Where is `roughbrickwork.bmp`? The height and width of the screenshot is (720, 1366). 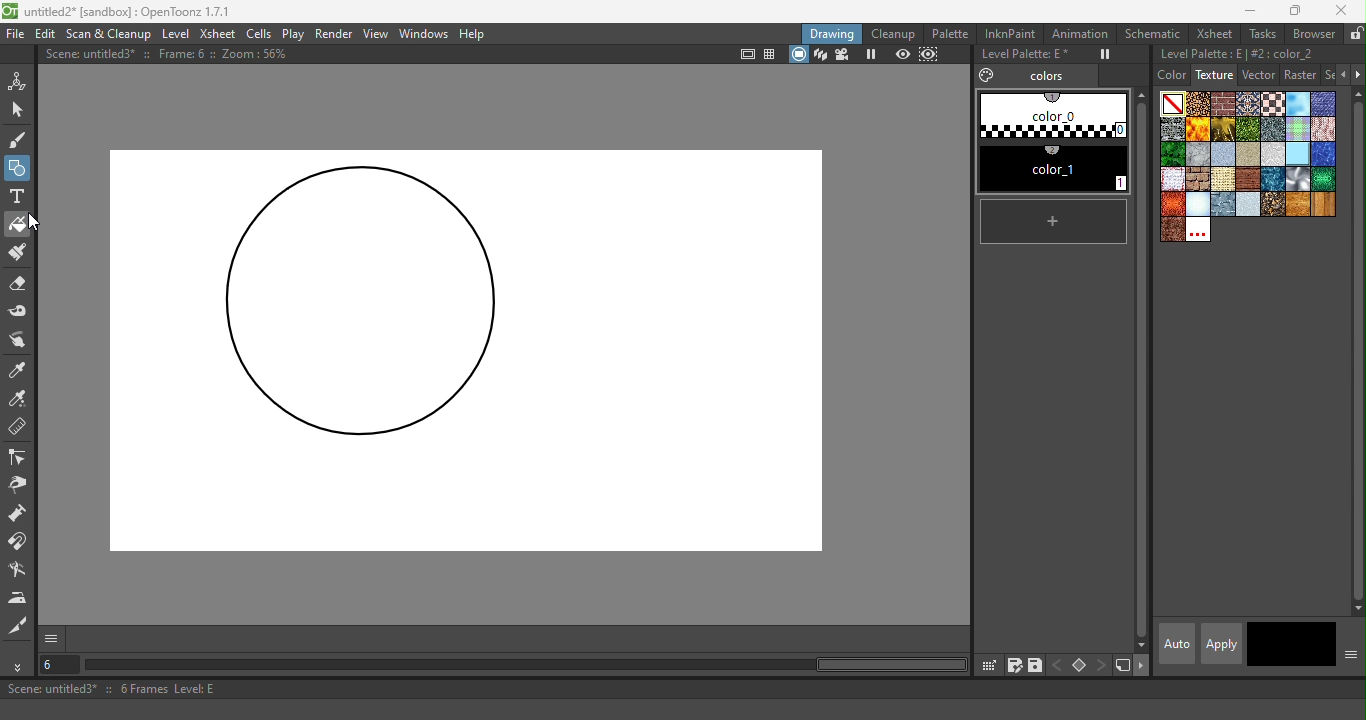
roughbrickwork.bmp is located at coordinates (1199, 180).